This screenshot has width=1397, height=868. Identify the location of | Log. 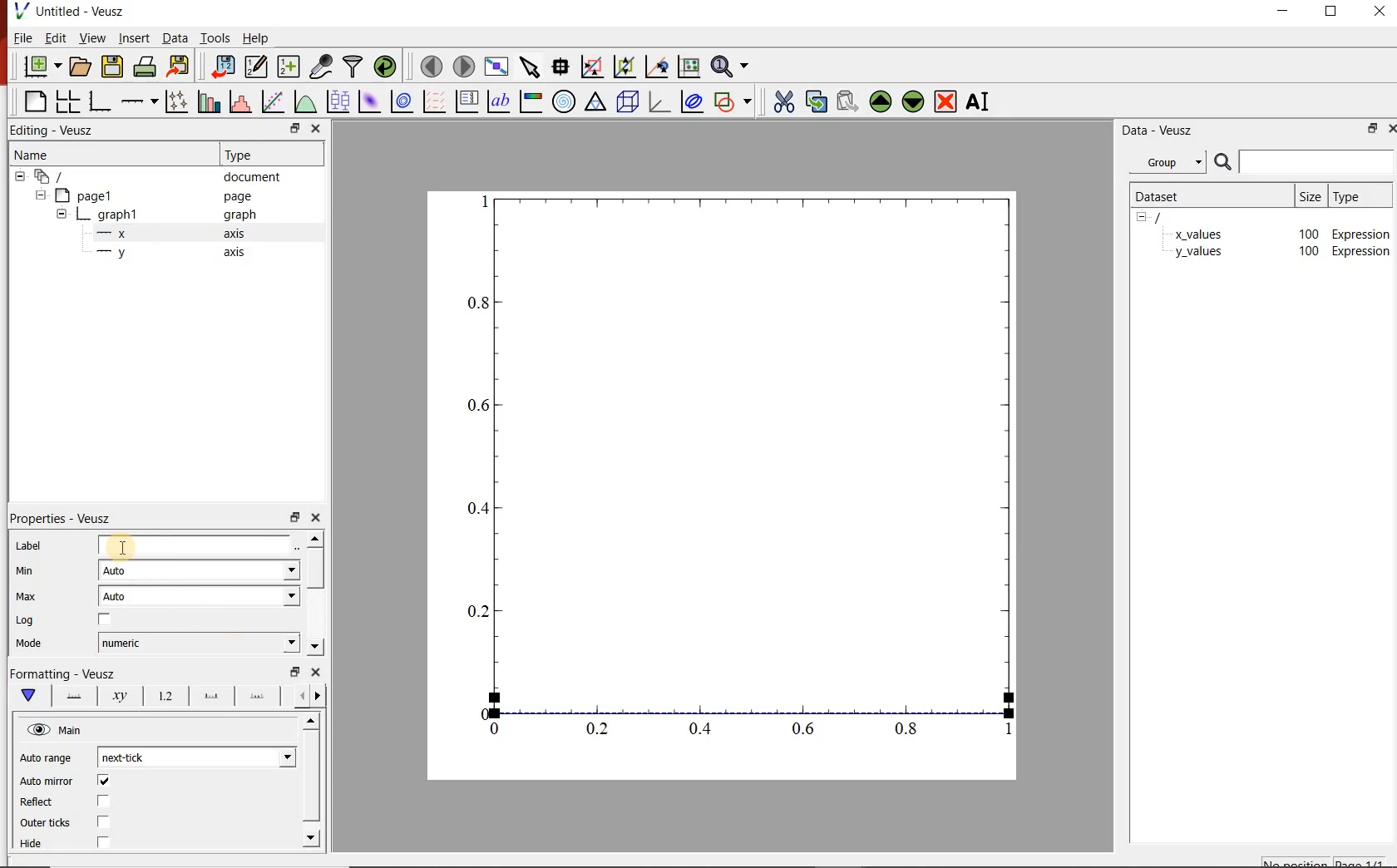
(27, 621).